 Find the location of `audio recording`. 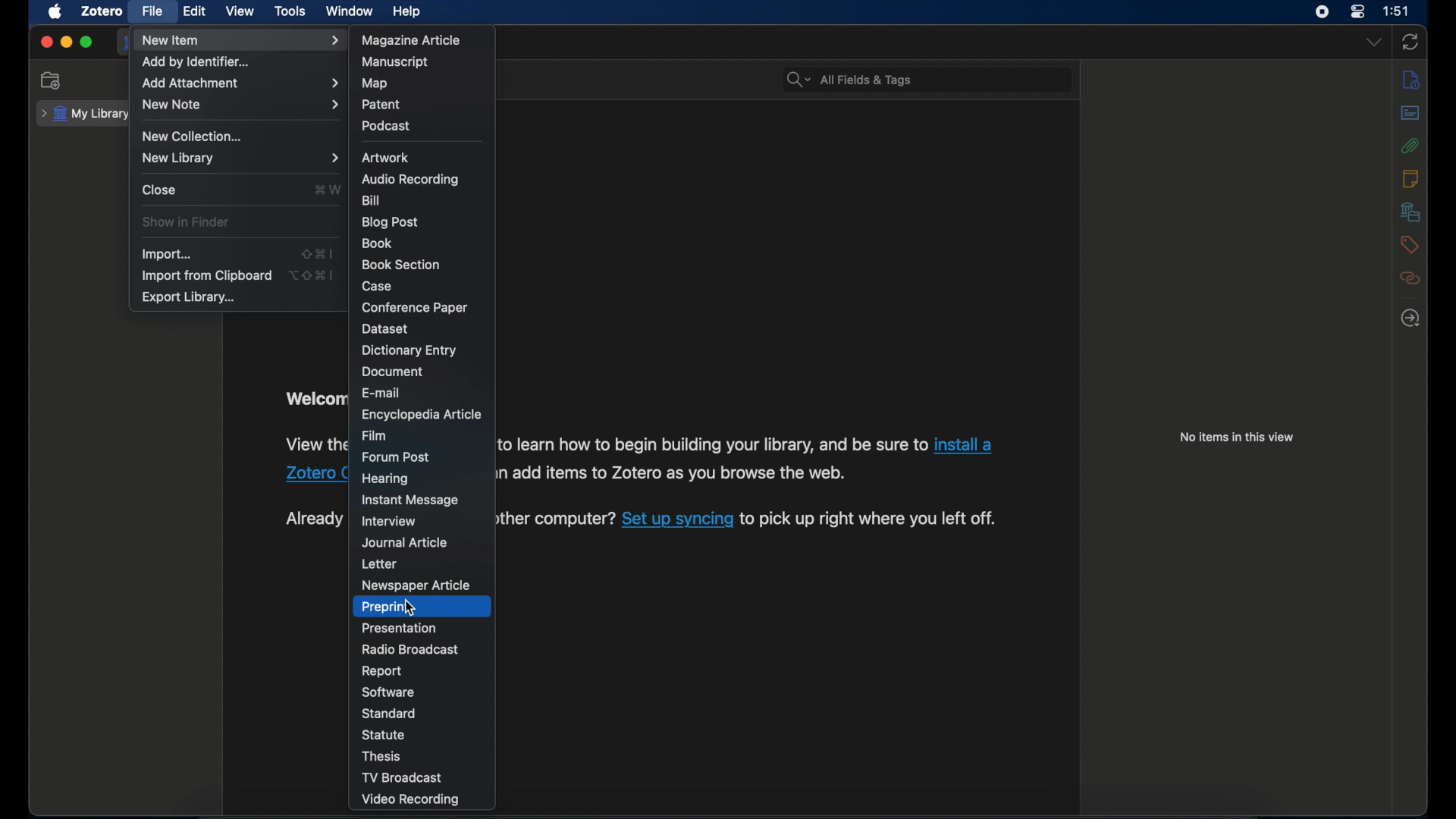

audio recording is located at coordinates (413, 179).